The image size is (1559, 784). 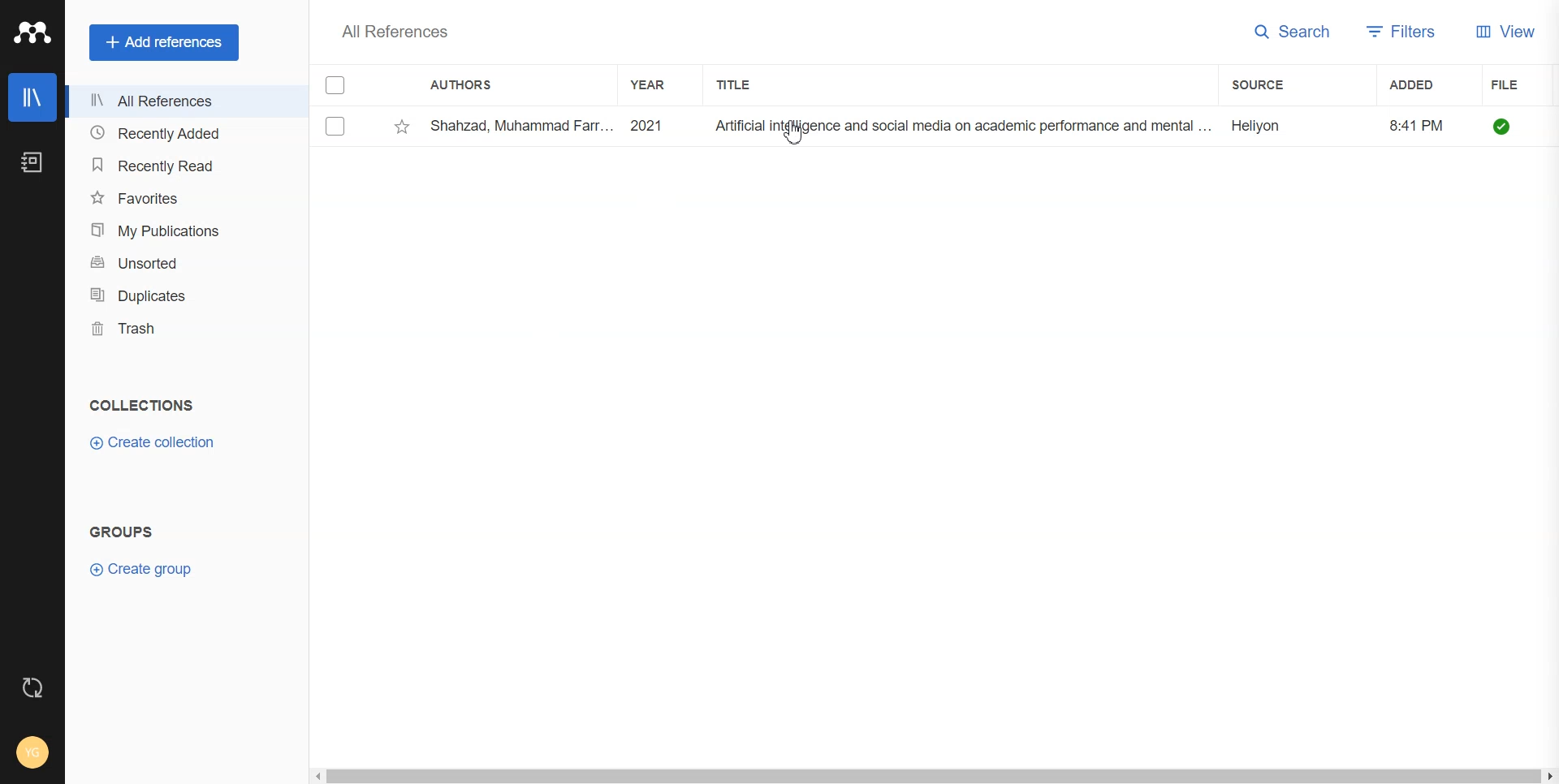 What do you see at coordinates (402, 126) in the screenshot?
I see `Starred` at bounding box center [402, 126].